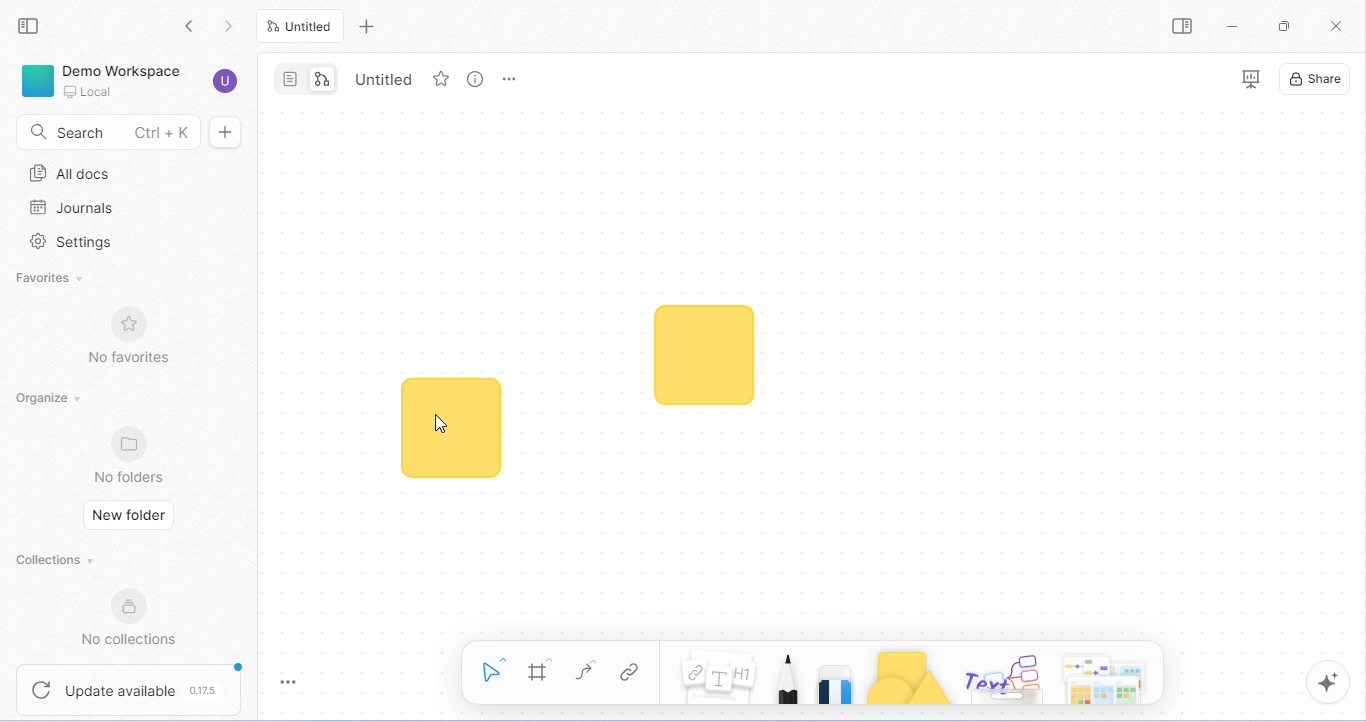 Image resolution: width=1366 pixels, height=722 pixels. What do you see at coordinates (718, 678) in the screenshot?
I see `notes` at bounding box center [718, 678].